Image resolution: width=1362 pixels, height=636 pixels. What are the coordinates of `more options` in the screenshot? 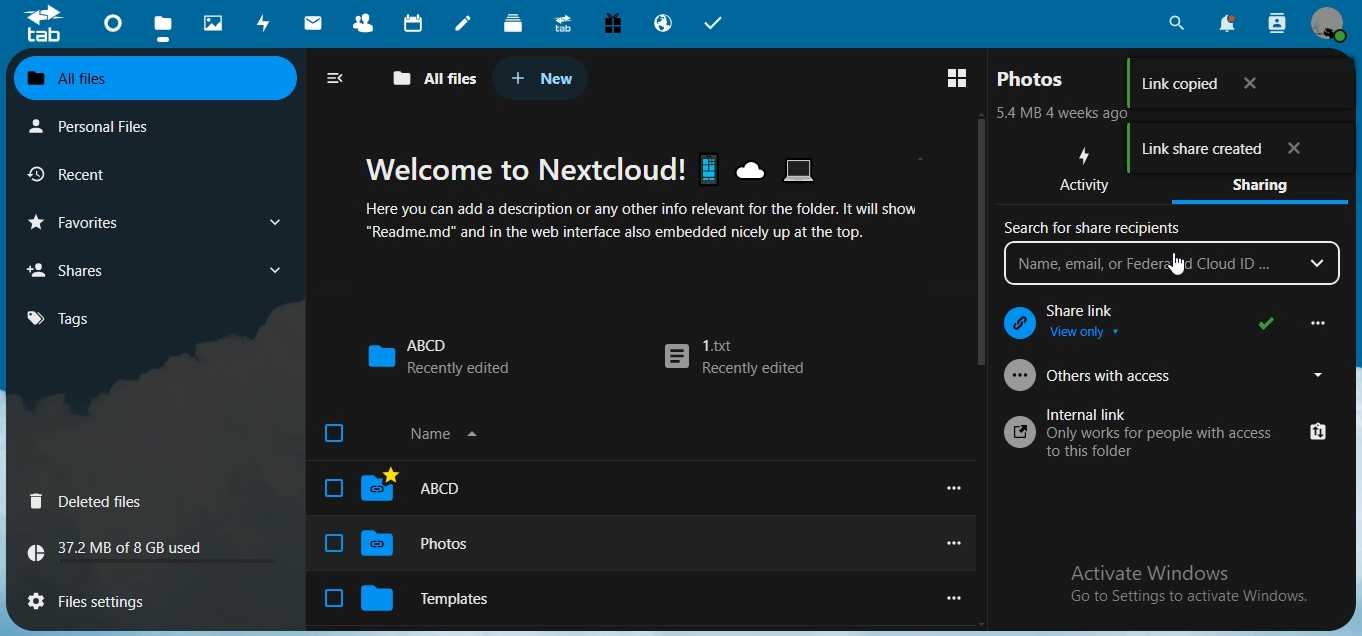 It's located at (1309, 322).